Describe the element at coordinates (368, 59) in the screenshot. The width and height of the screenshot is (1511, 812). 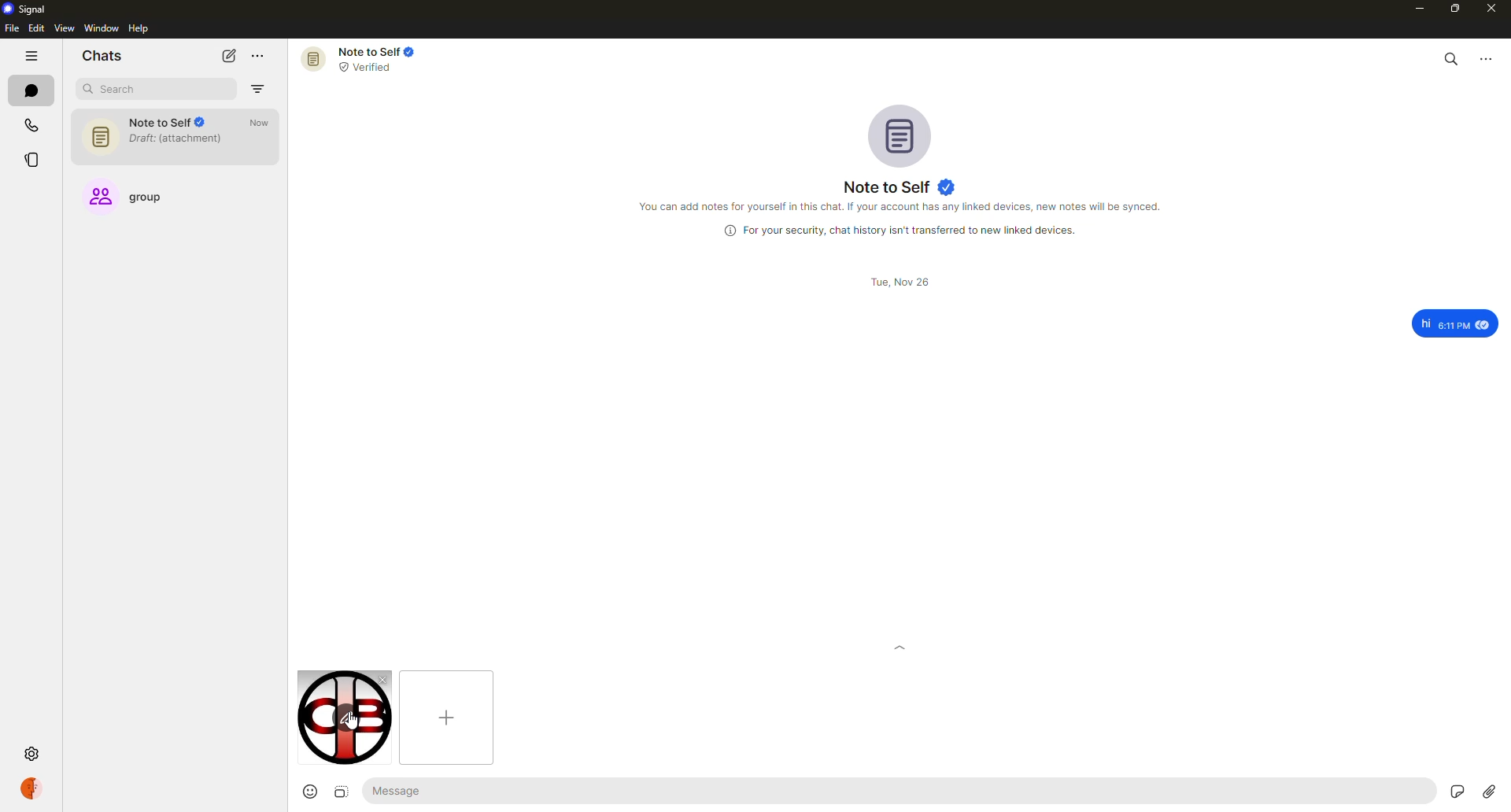
I see `note to self` at that location.